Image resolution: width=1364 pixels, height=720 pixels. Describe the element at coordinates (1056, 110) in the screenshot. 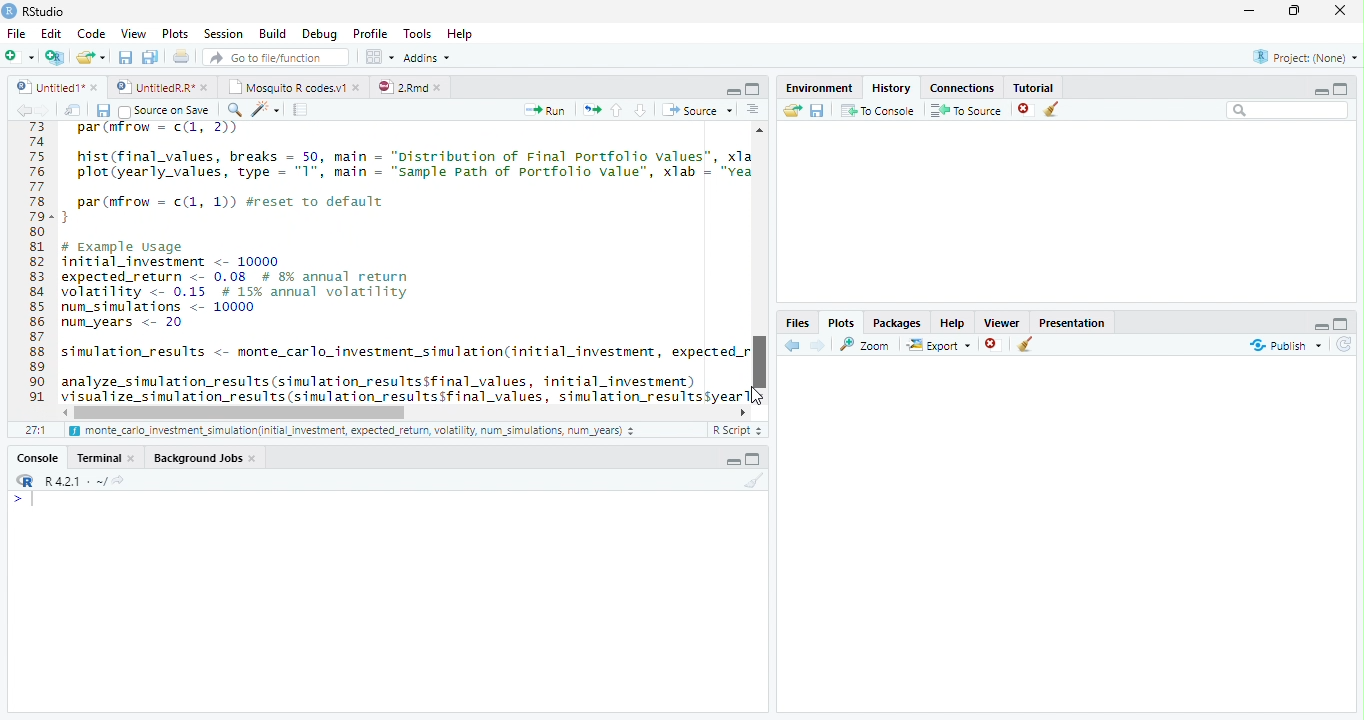

I see `Clear` at that location.